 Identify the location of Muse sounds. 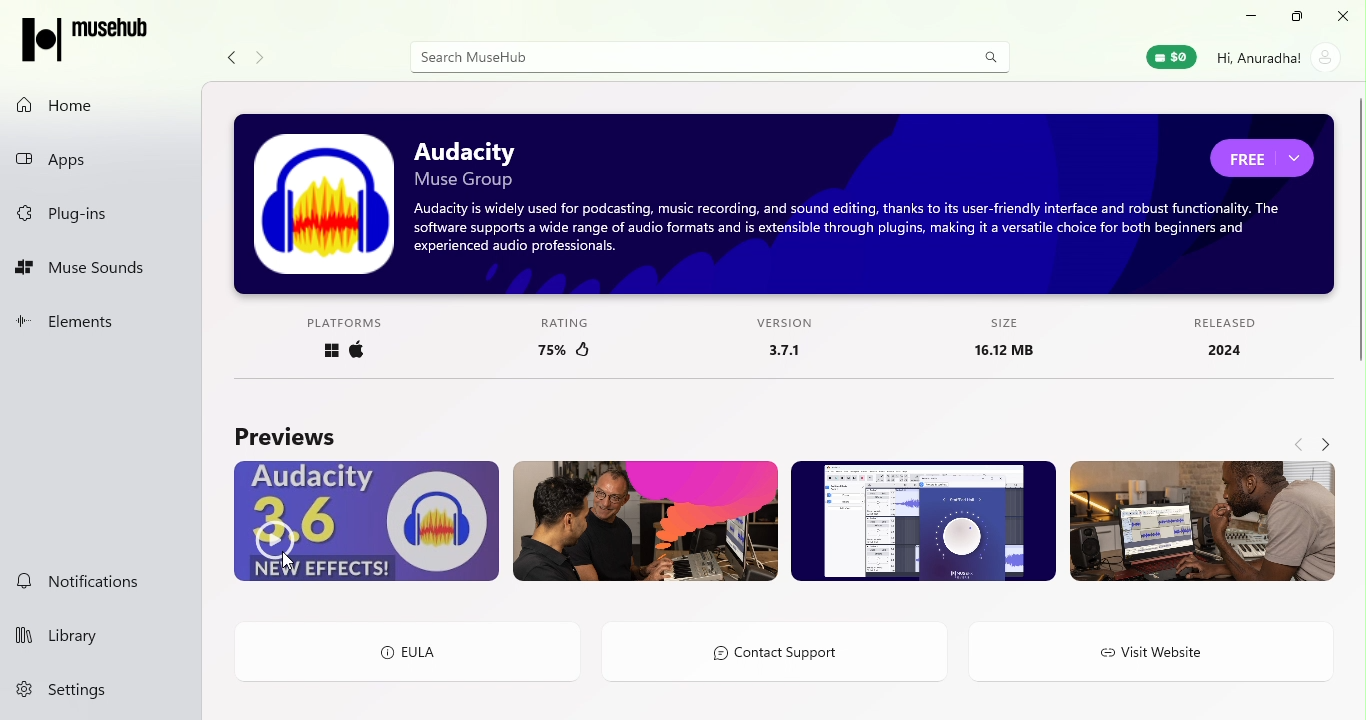
(106, 271).